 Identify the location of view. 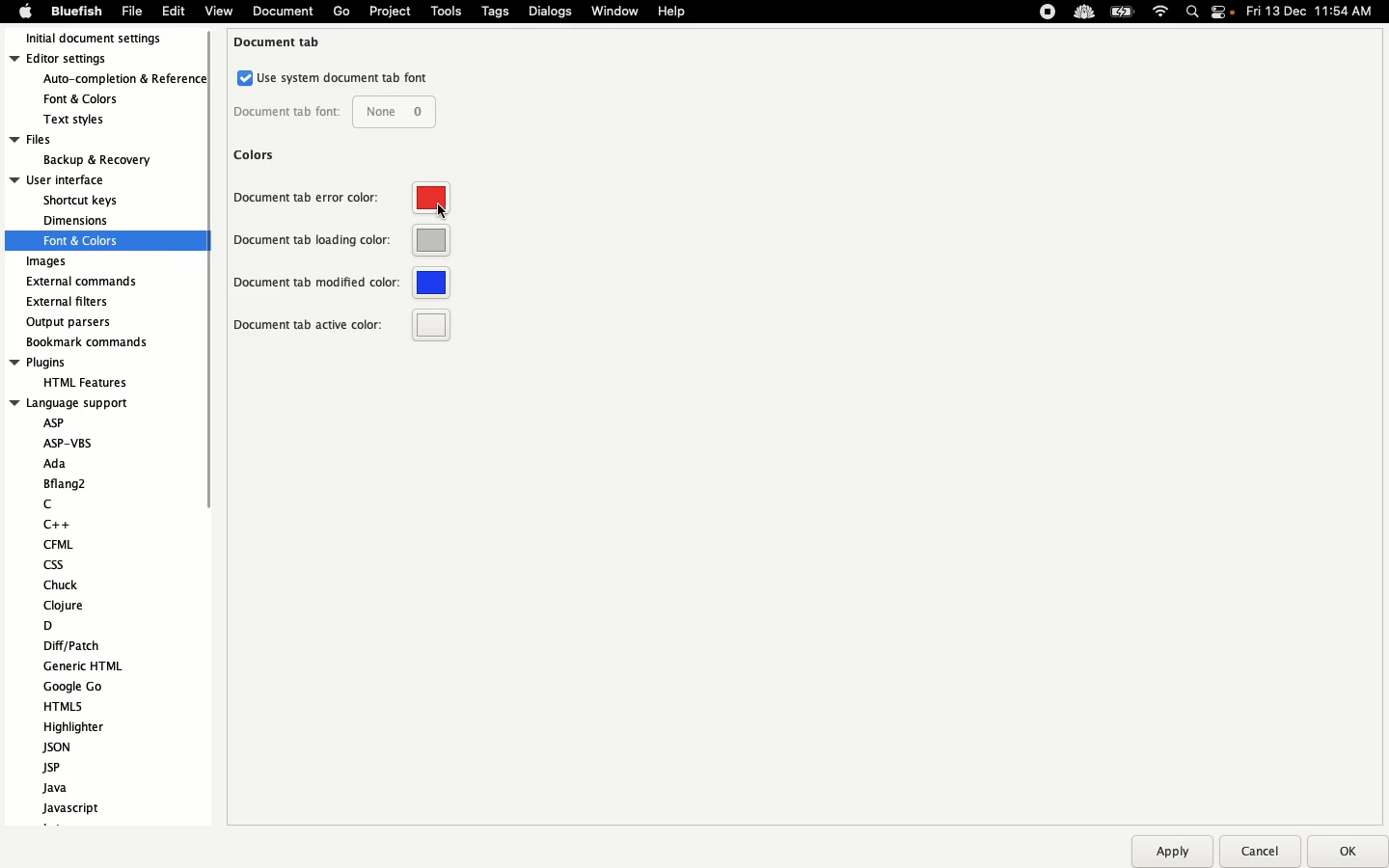
(218, 14).